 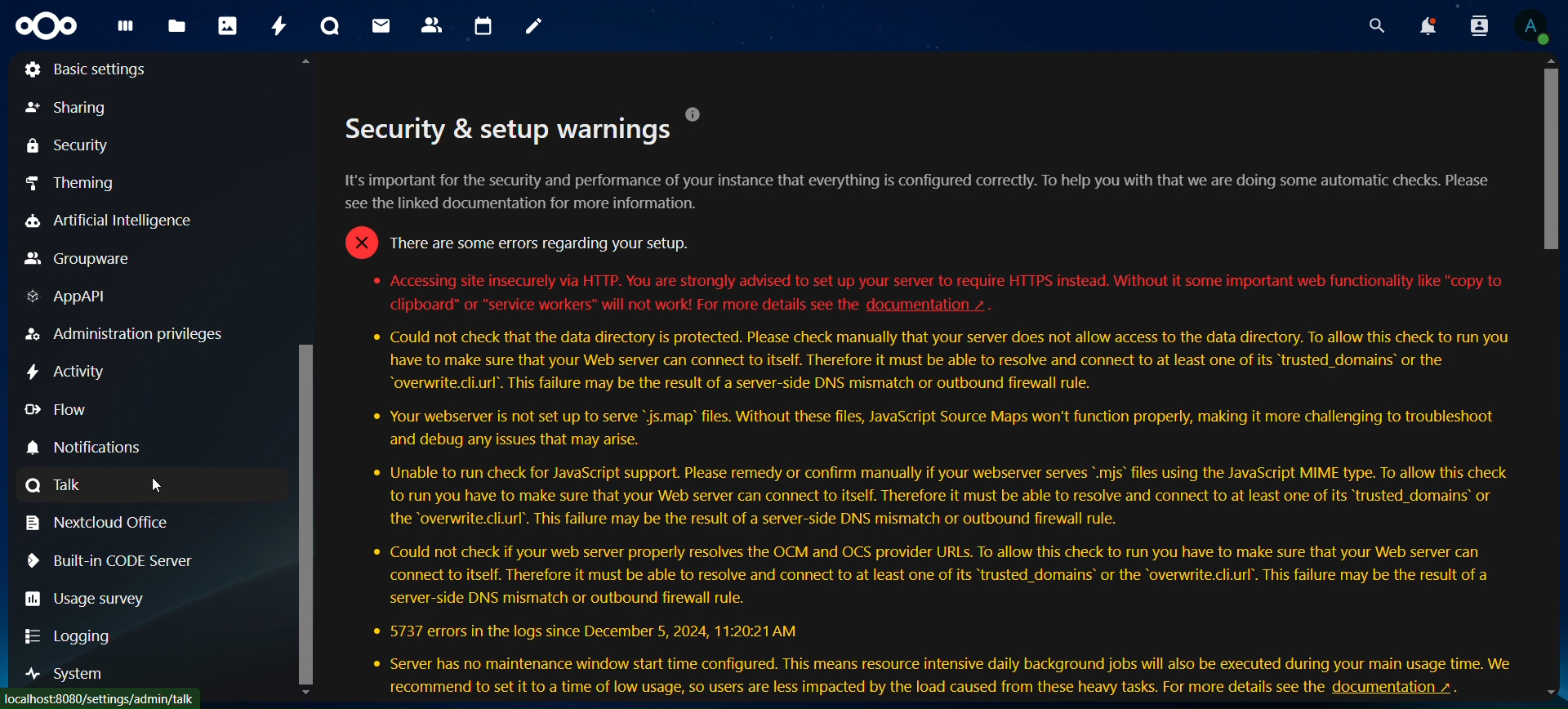 What do you see at coordinates (1420, 25) in the screenshot?
I see `notifications` at bounding box center [1420, 25].